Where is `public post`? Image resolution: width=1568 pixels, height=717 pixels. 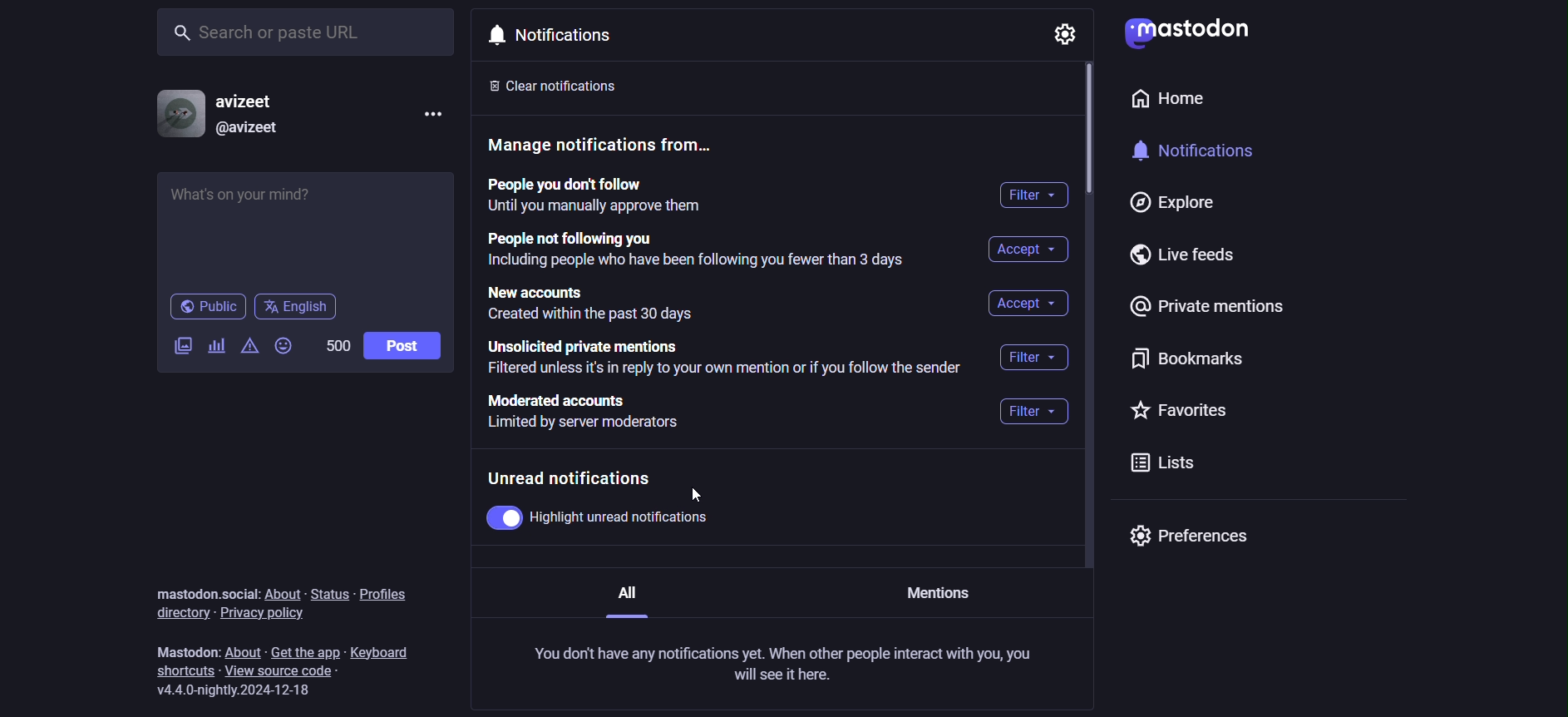 public post is located at coordinates (207, 308).